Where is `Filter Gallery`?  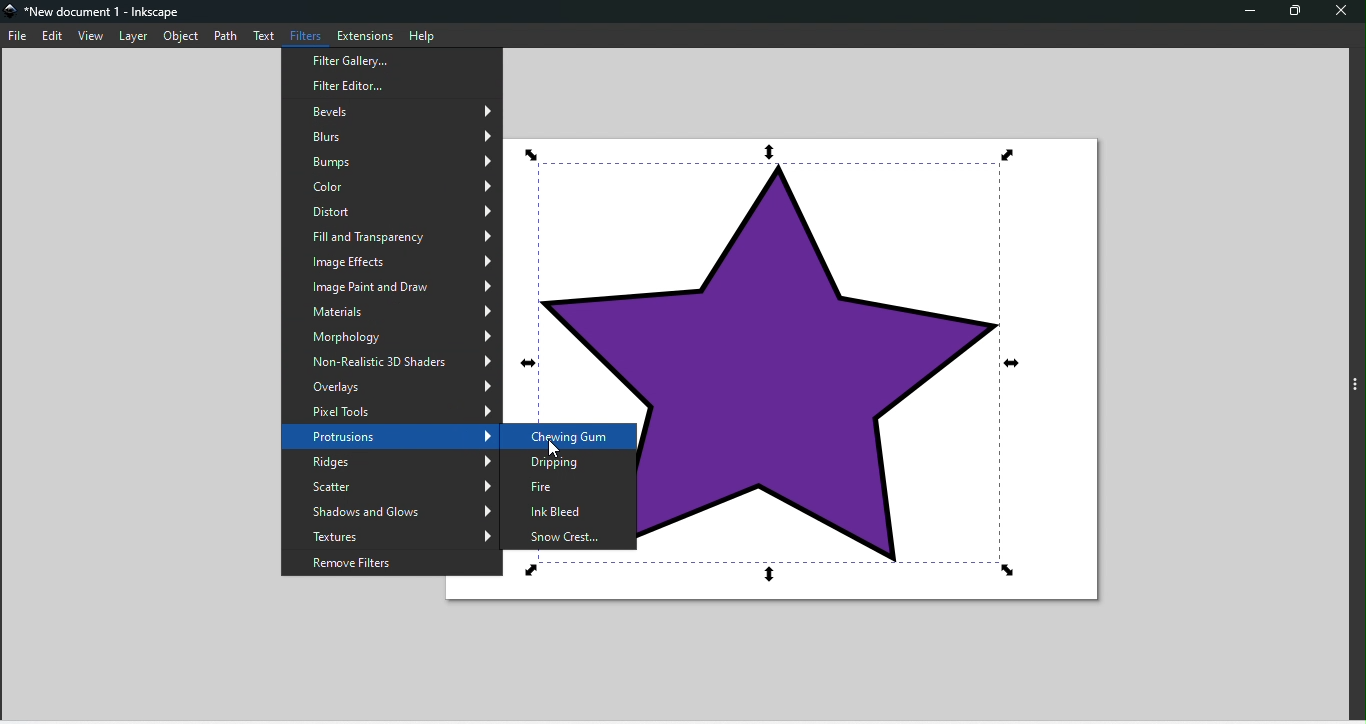
Filter Gallery is located at coordinates (391, 61).